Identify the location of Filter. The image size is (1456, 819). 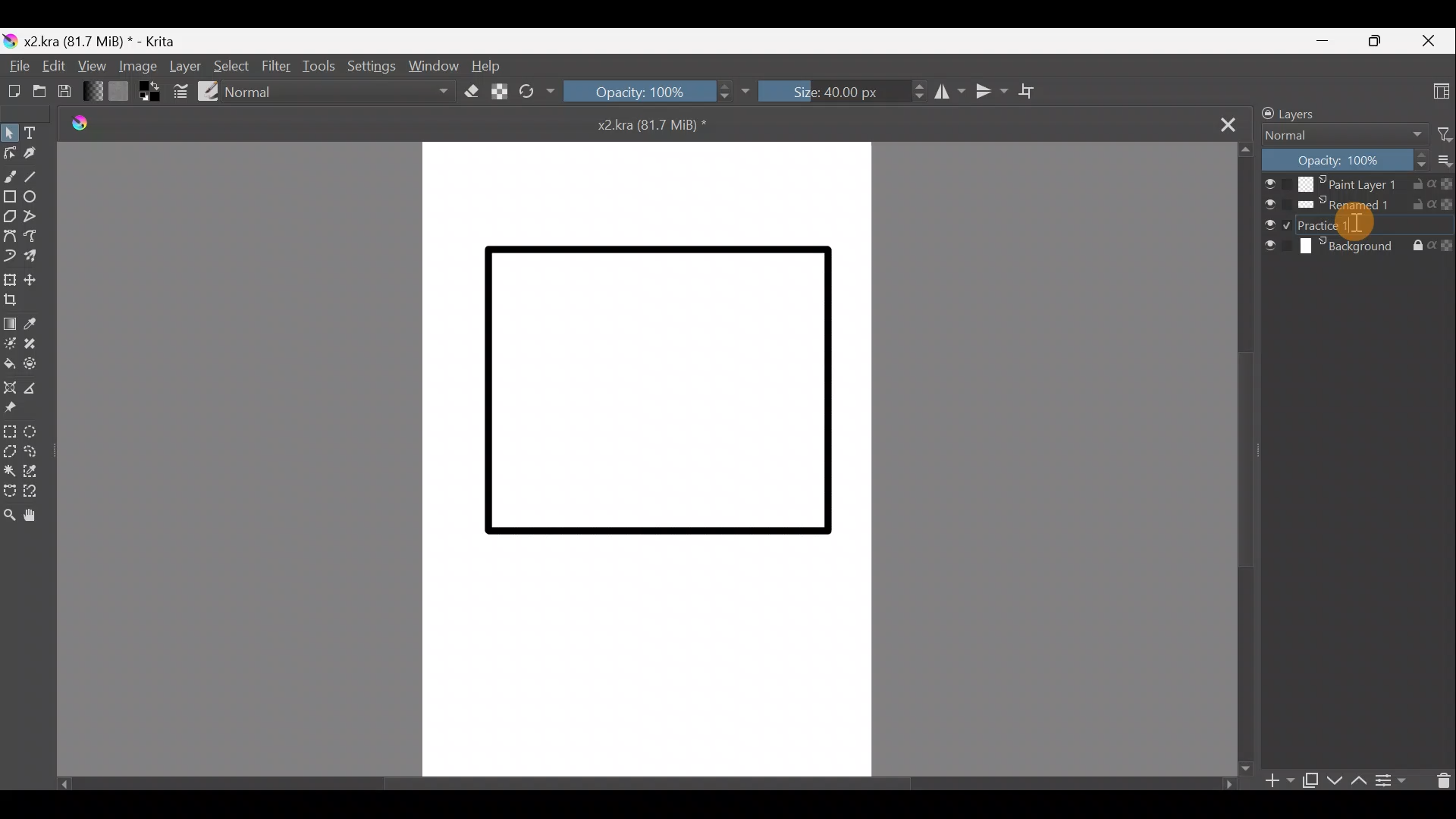
(1444, 135).